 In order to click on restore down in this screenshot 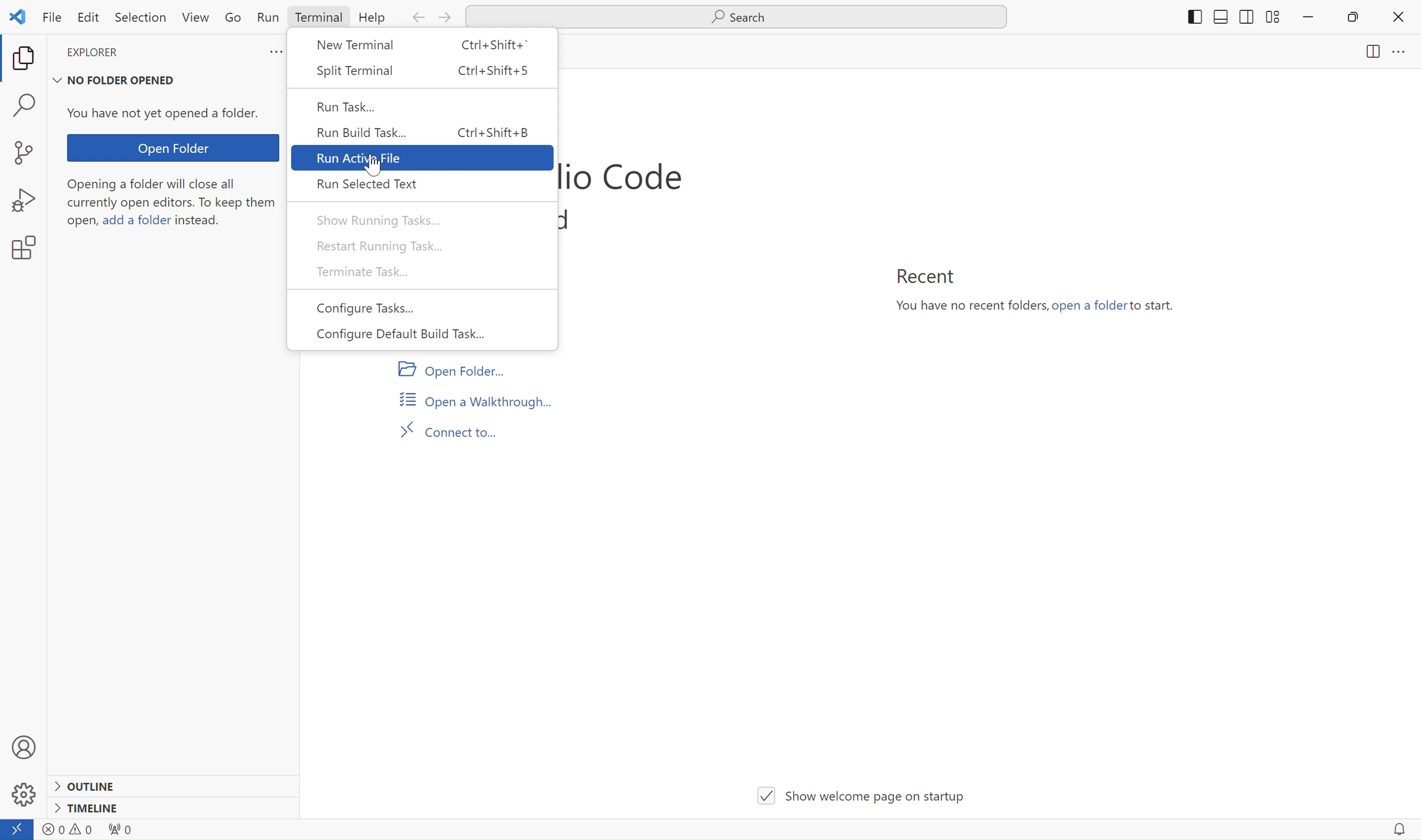, I will do `click(1347, 23)`.